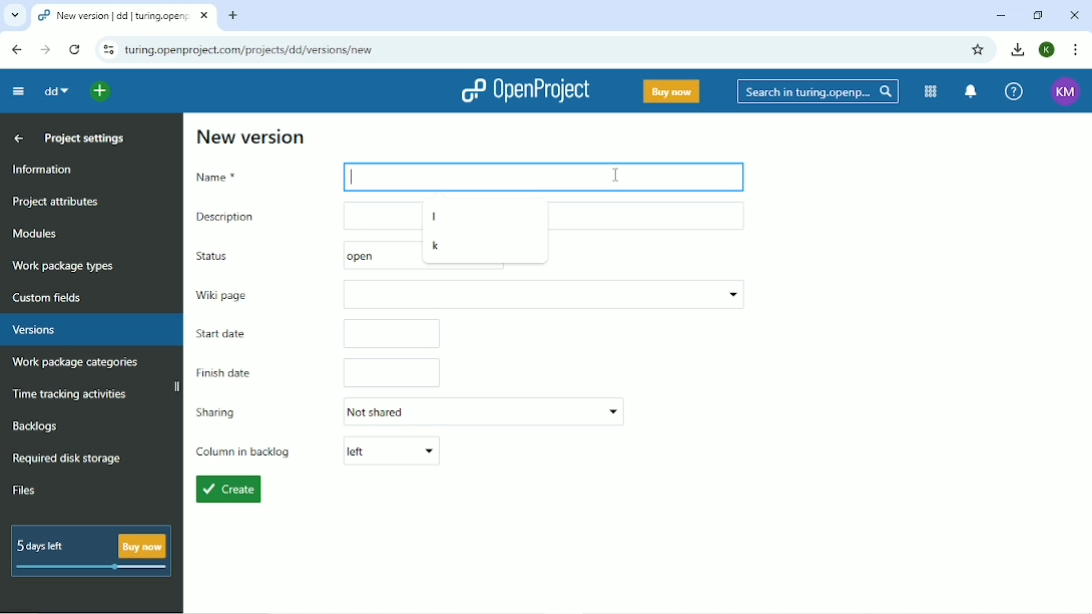 The width and height of the screenshot is (1092, 614). I want to click on Collapse project menu, so click(19, 92).